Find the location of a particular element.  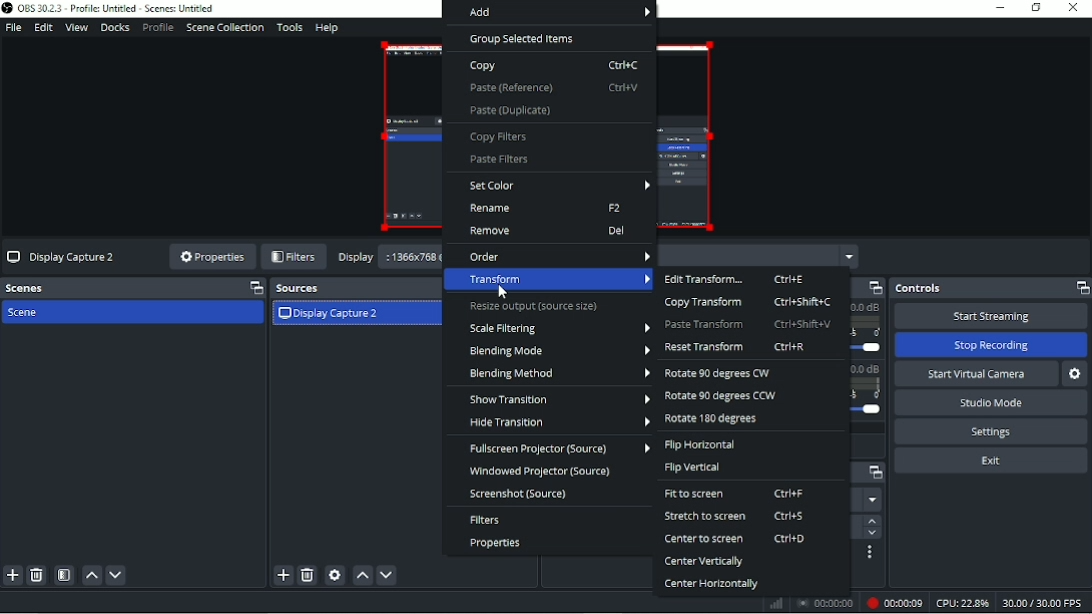

Flip vertical is located at coordinates (694, 467).